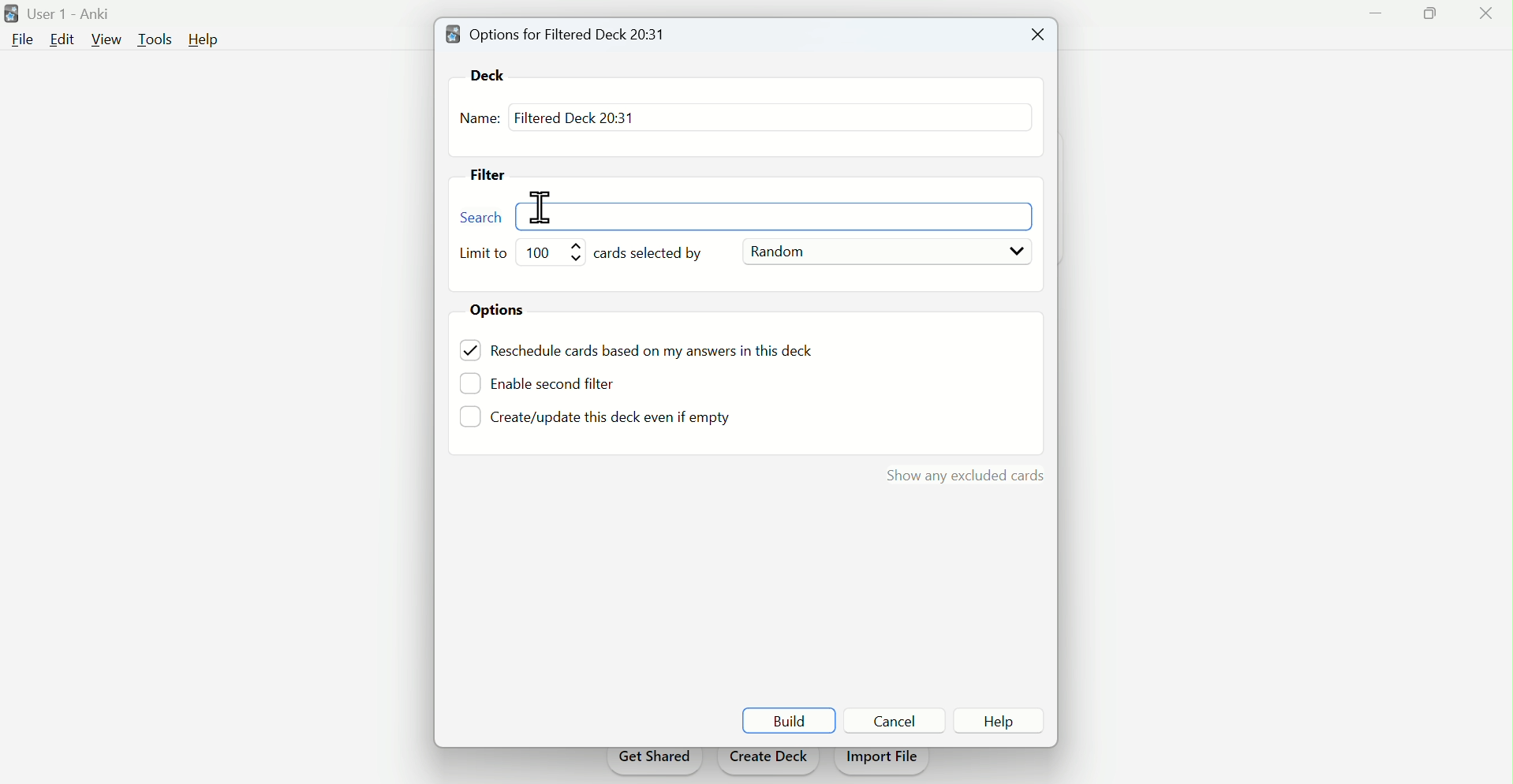  What do you see at coordinates (653, 762) in the screenshot?
I see `Get shared` at bounding box center [653, 762].